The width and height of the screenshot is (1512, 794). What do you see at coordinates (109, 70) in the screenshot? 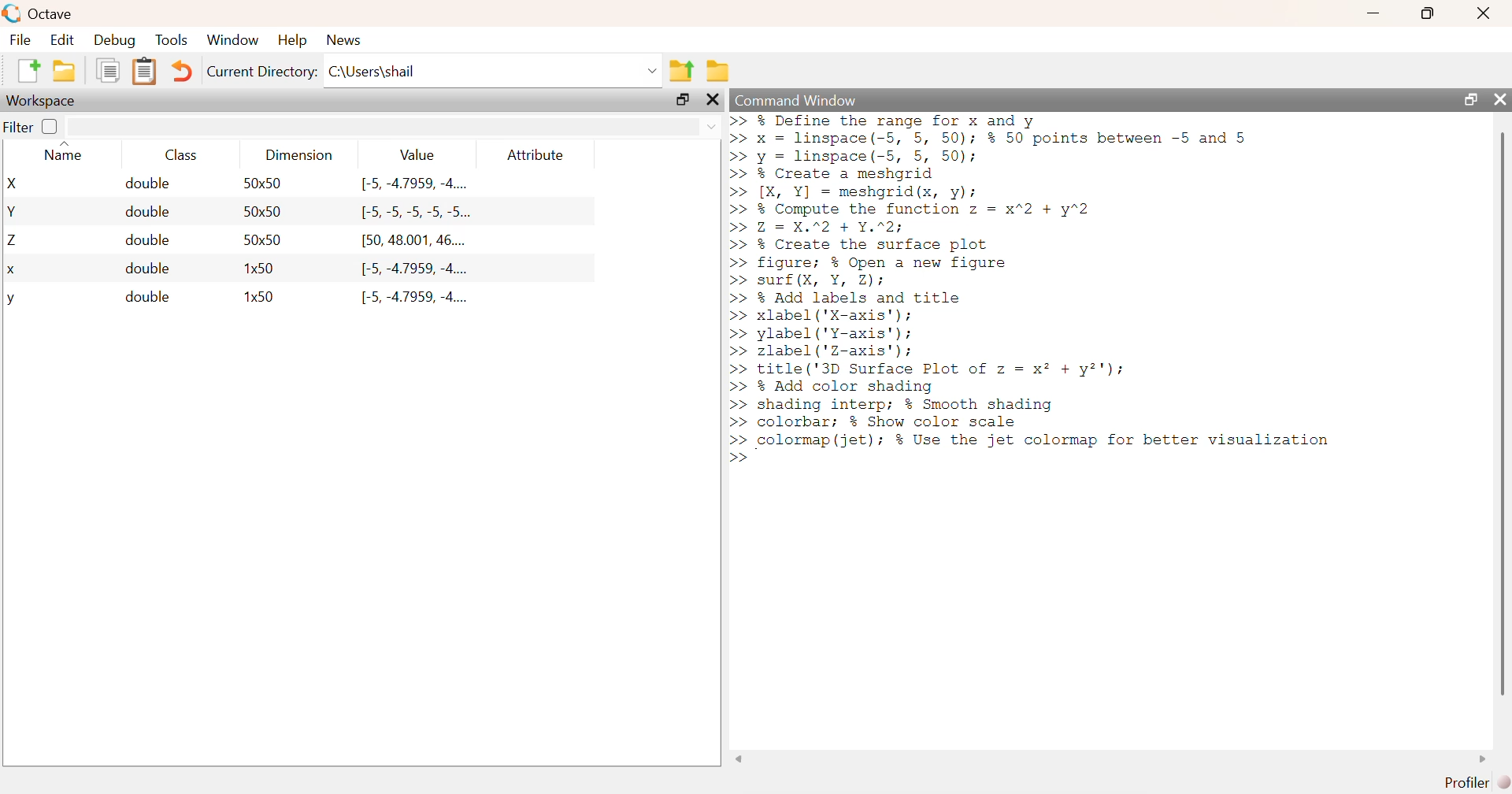
I see `Duplicate` at bounding box center [109, 70].